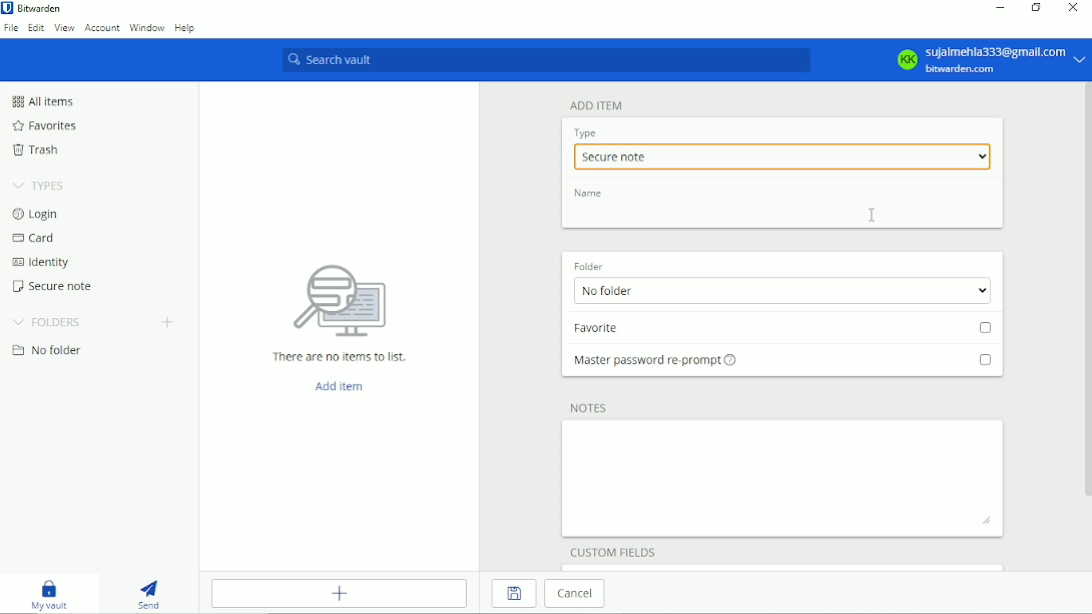  What do you see at coordinates (341, 594) in the screenshot?
I see `Add item` at bounding box center [341, 594].